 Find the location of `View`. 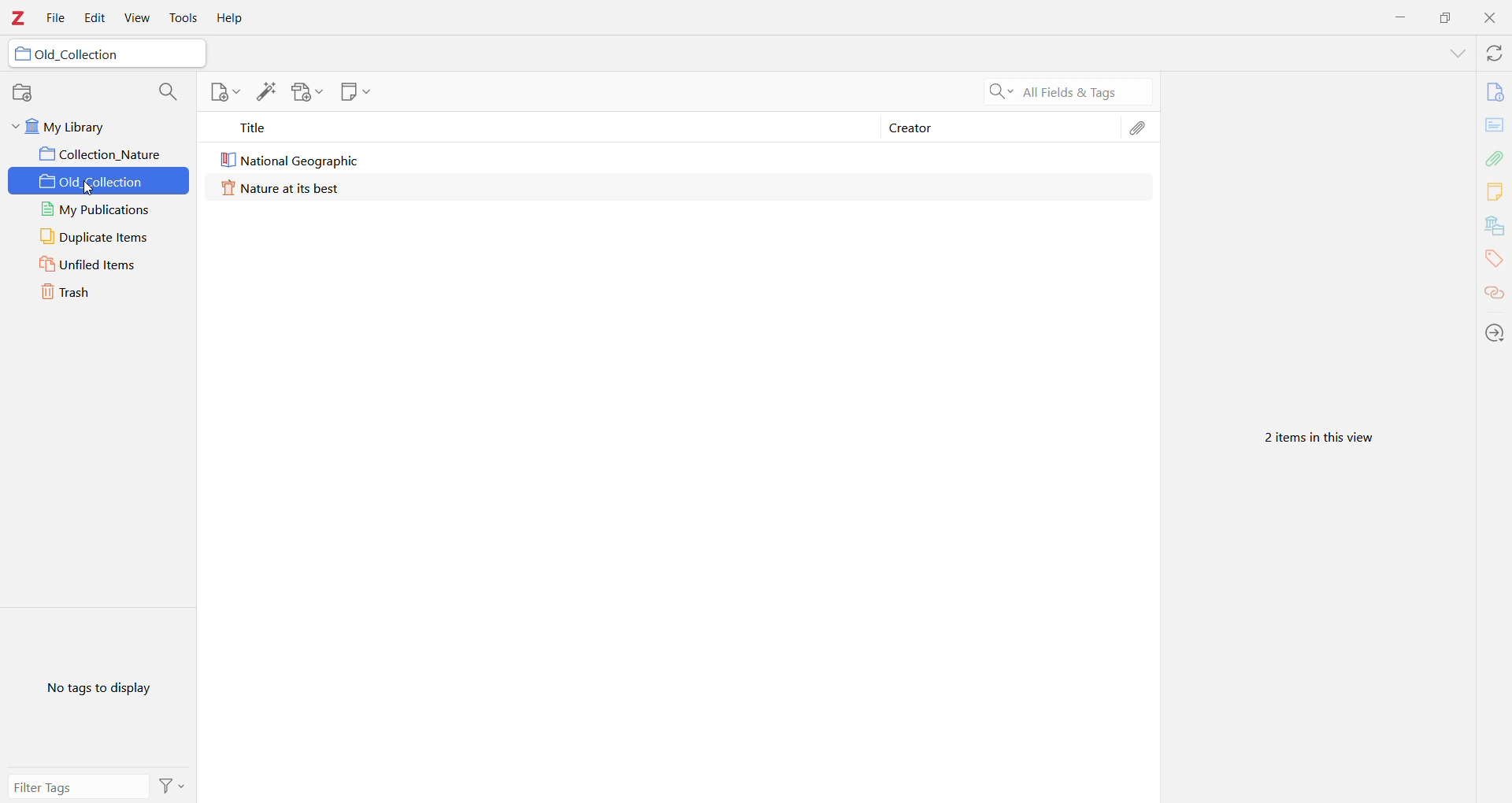

View is located at coordinates (137, 19).